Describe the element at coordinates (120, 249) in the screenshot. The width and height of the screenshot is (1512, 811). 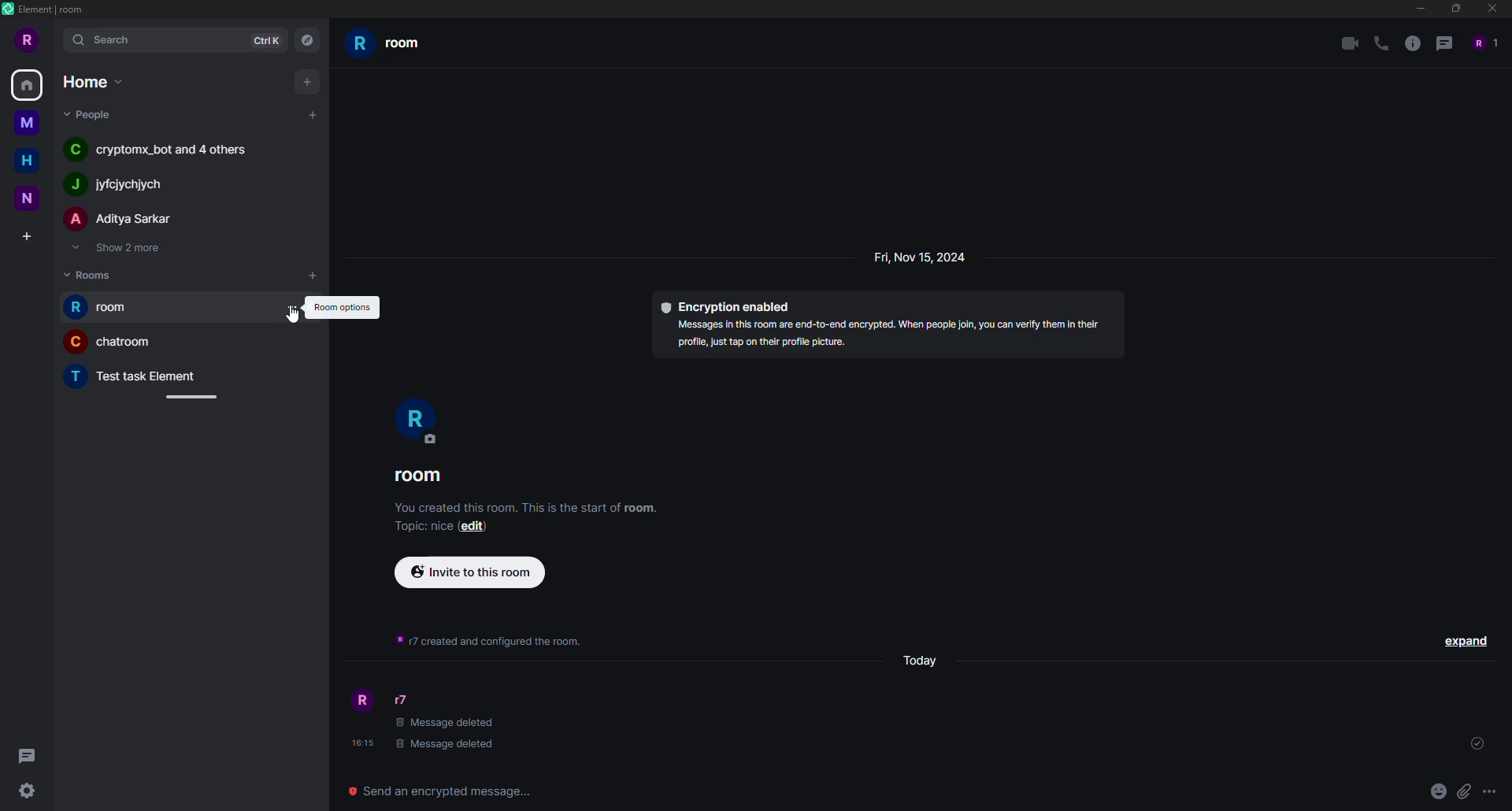
I see `show 2 more` at that location.